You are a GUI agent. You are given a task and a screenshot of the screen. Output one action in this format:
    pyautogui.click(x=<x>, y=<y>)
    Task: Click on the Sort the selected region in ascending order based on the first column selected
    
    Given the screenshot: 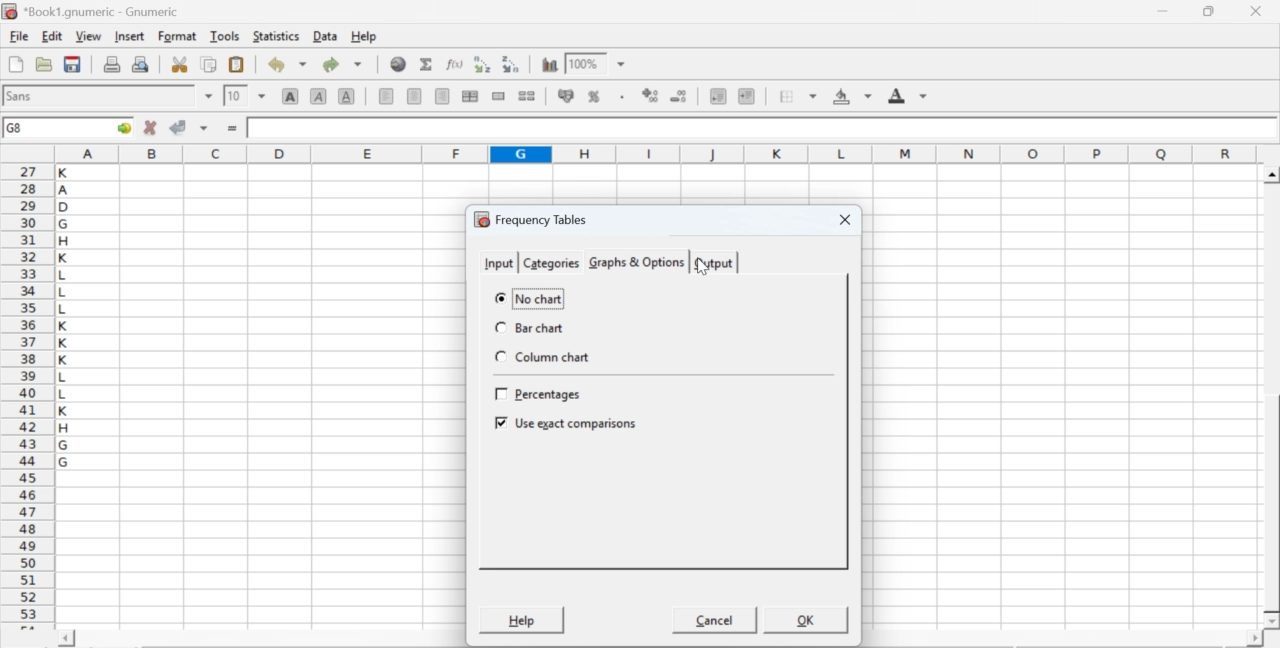 What is the action you would take?
    pyautogui.click(x=485, y=64)
    